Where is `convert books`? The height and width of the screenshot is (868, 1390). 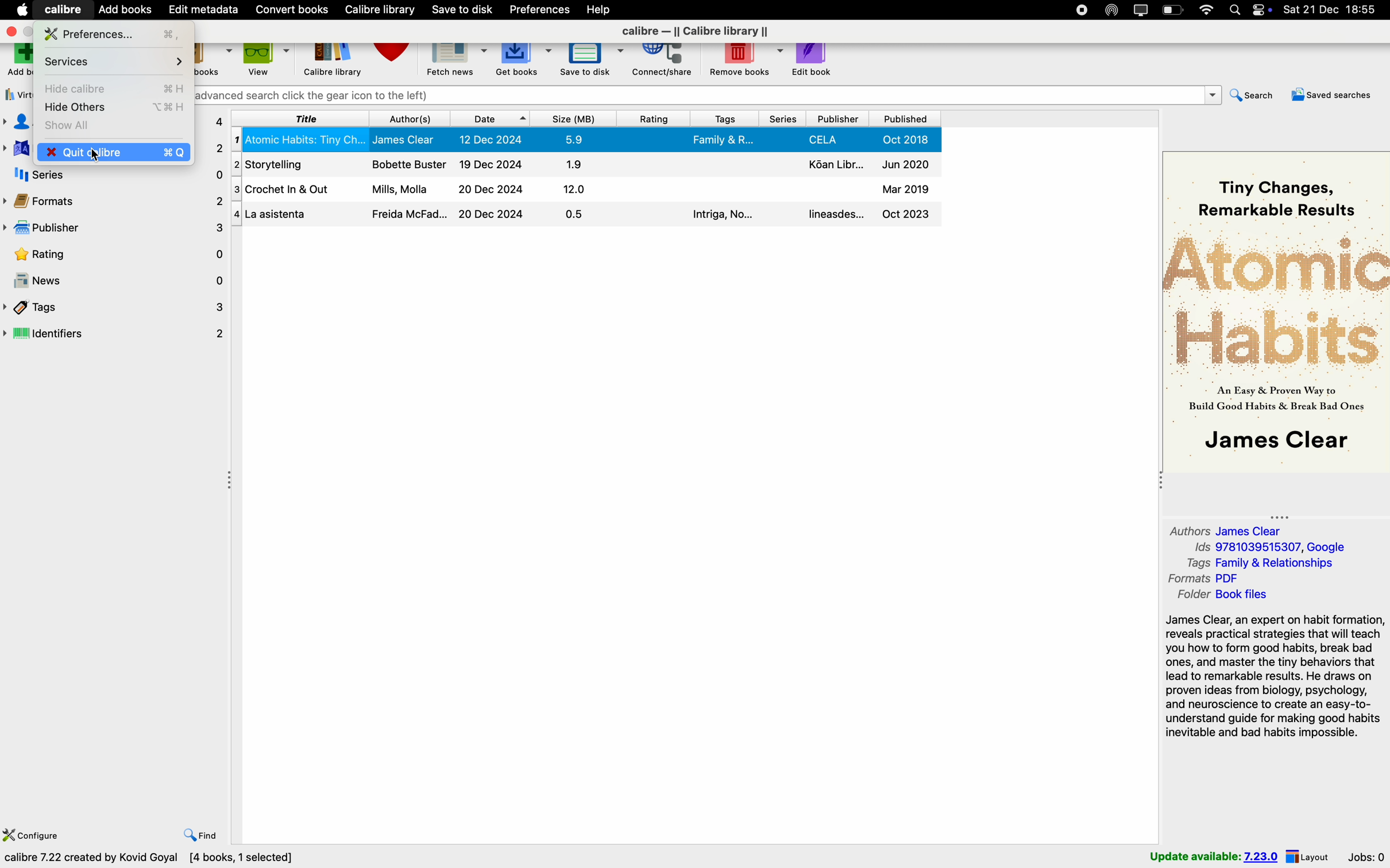
convert books is located at coordinates (214, 63).